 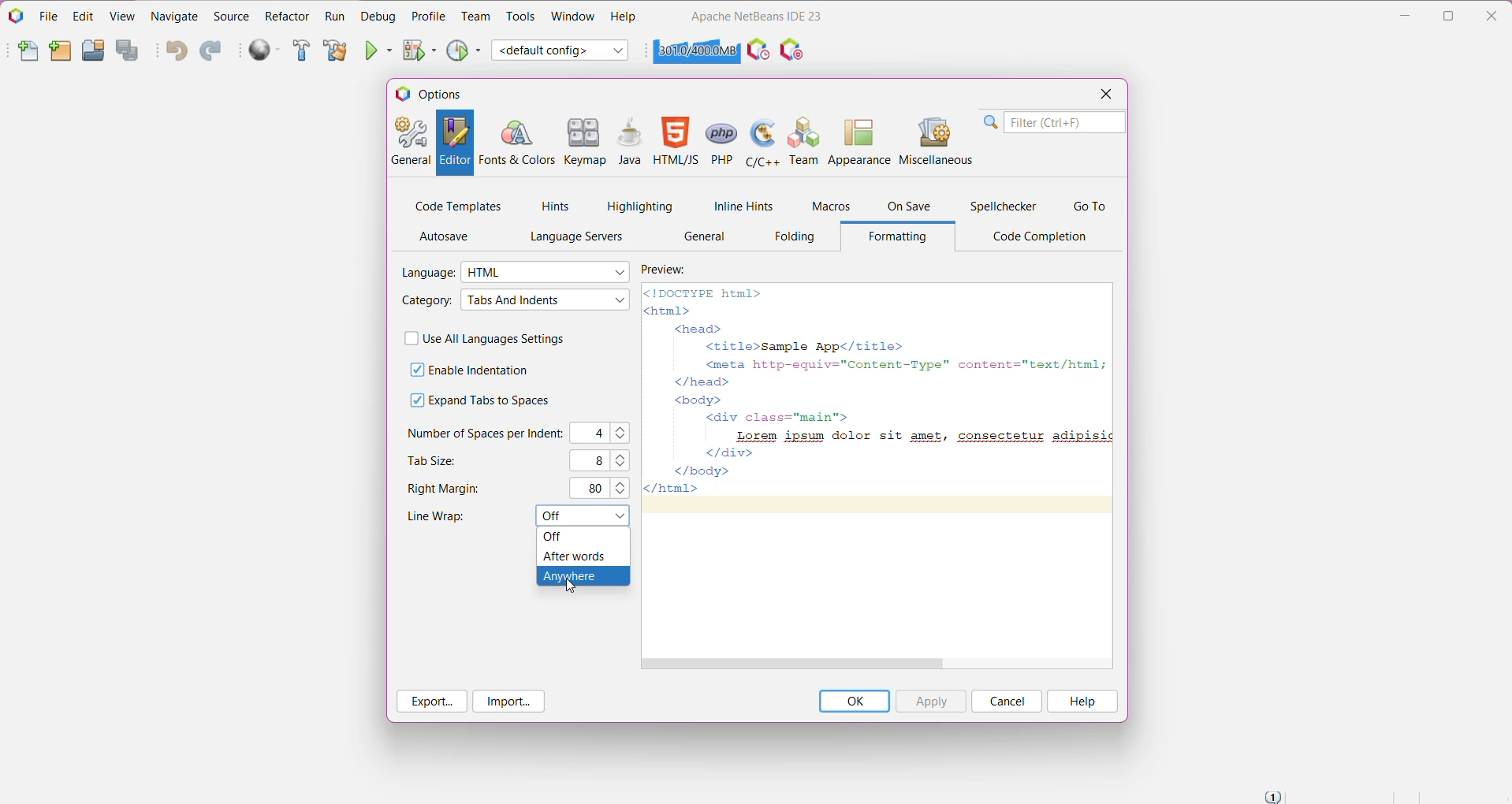 I want to click on Run, so click(x=334, y=17).